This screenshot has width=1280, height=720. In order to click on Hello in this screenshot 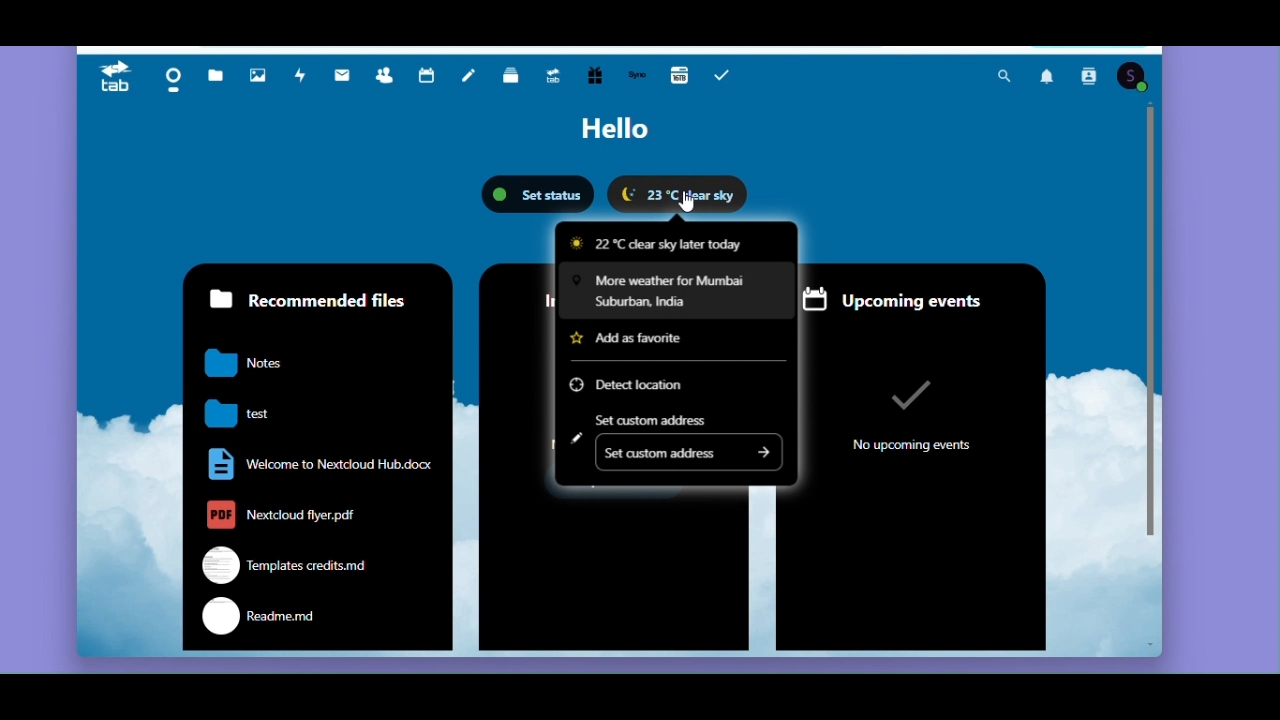, I will do `click(615, 130)`.